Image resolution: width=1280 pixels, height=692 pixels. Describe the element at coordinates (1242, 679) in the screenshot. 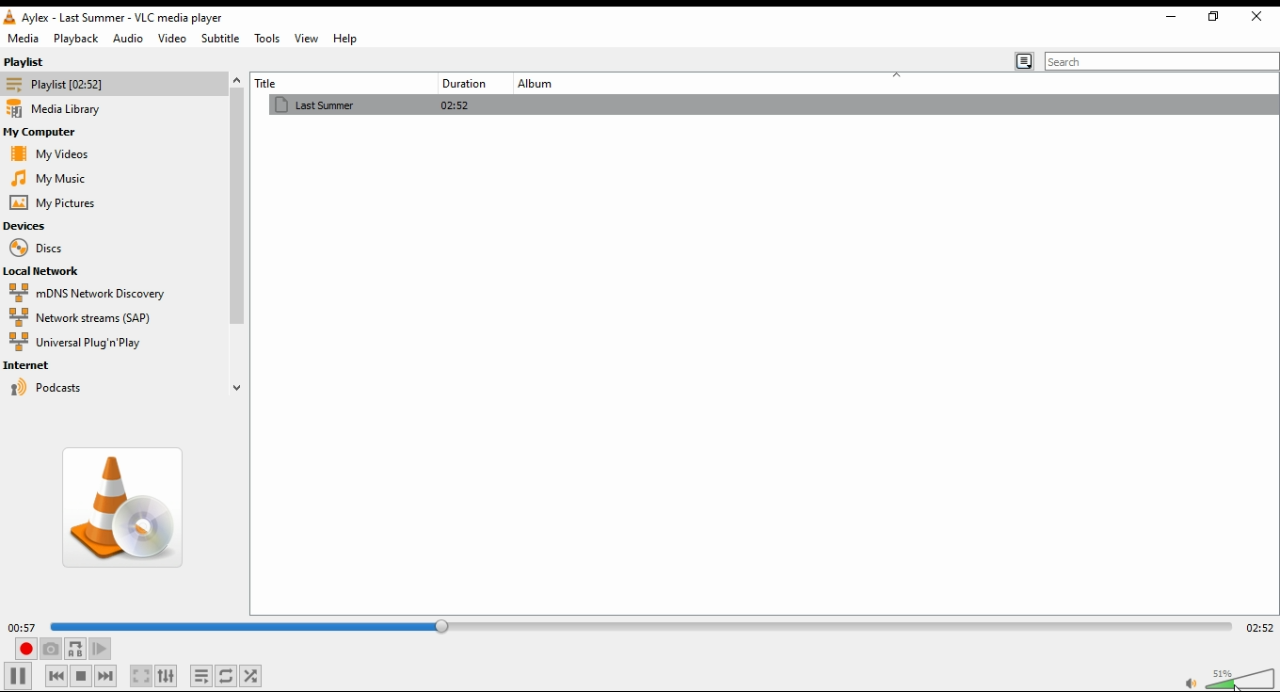

I see `mouse on volume level` at that location.